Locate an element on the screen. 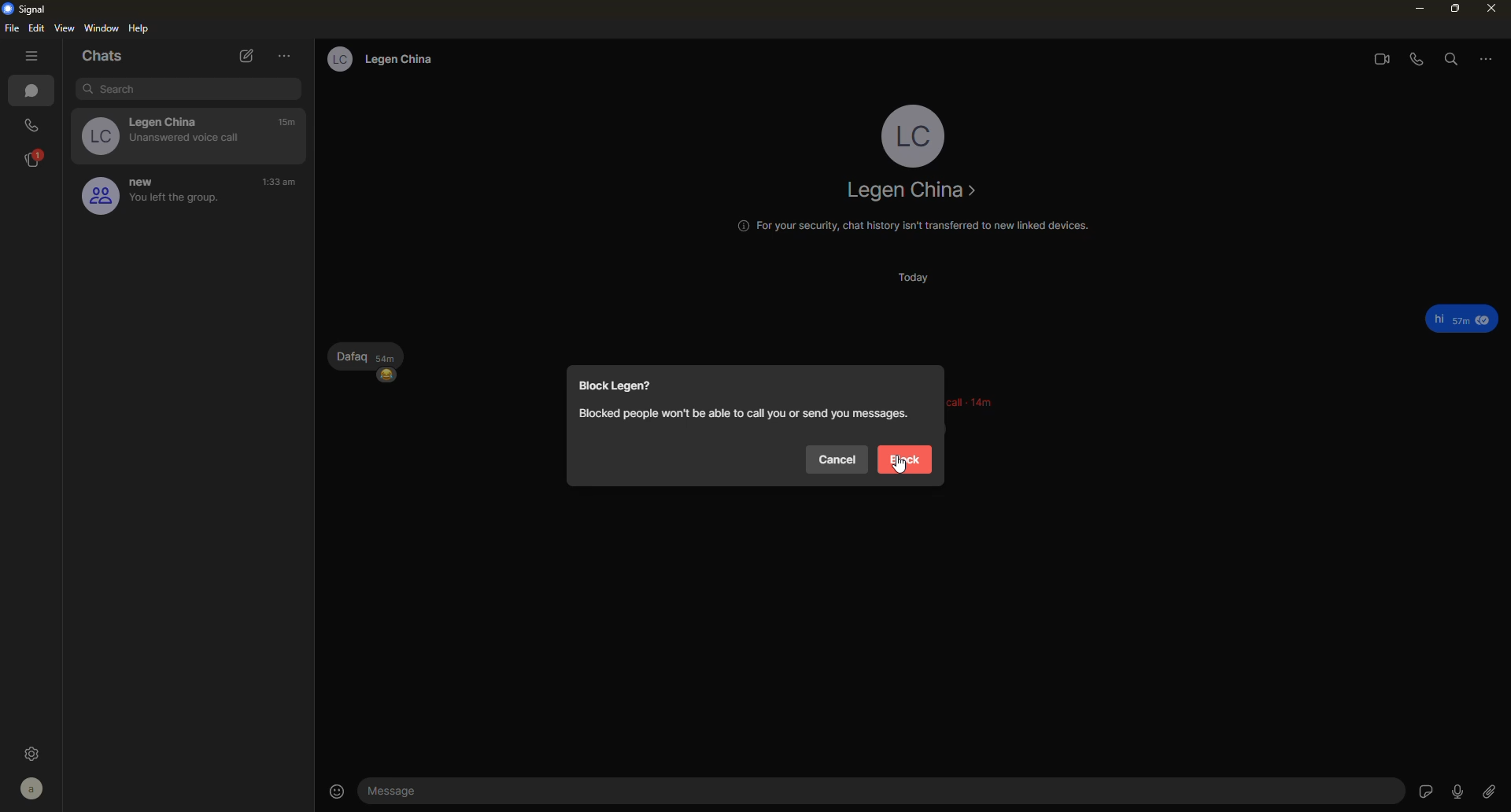 This screenshot has height=812, width=1511. more is located at coordinates (284, 56).